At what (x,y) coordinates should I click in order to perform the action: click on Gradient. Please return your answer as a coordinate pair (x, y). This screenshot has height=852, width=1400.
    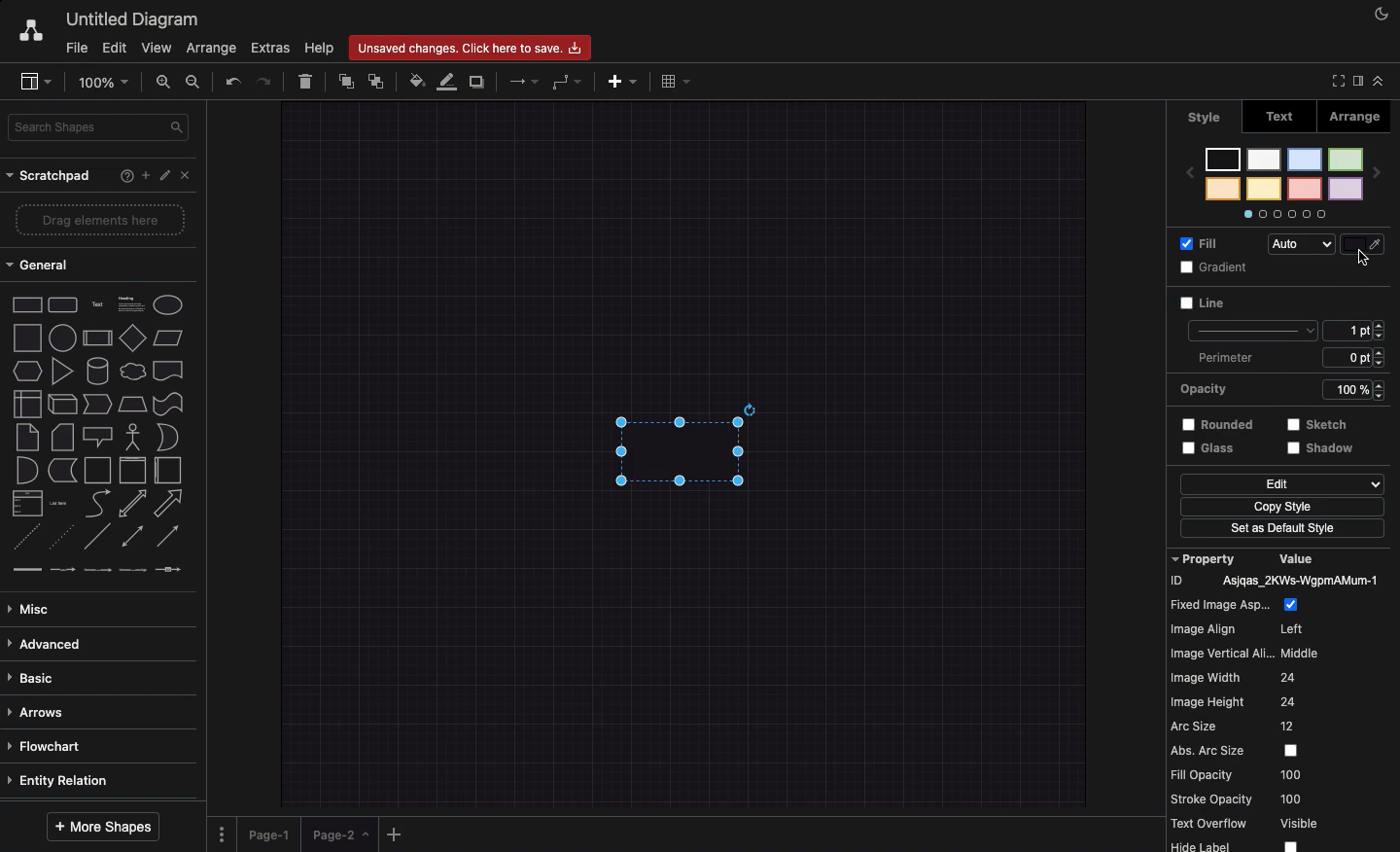
    Looking at the image, I should click on (1217, 267).